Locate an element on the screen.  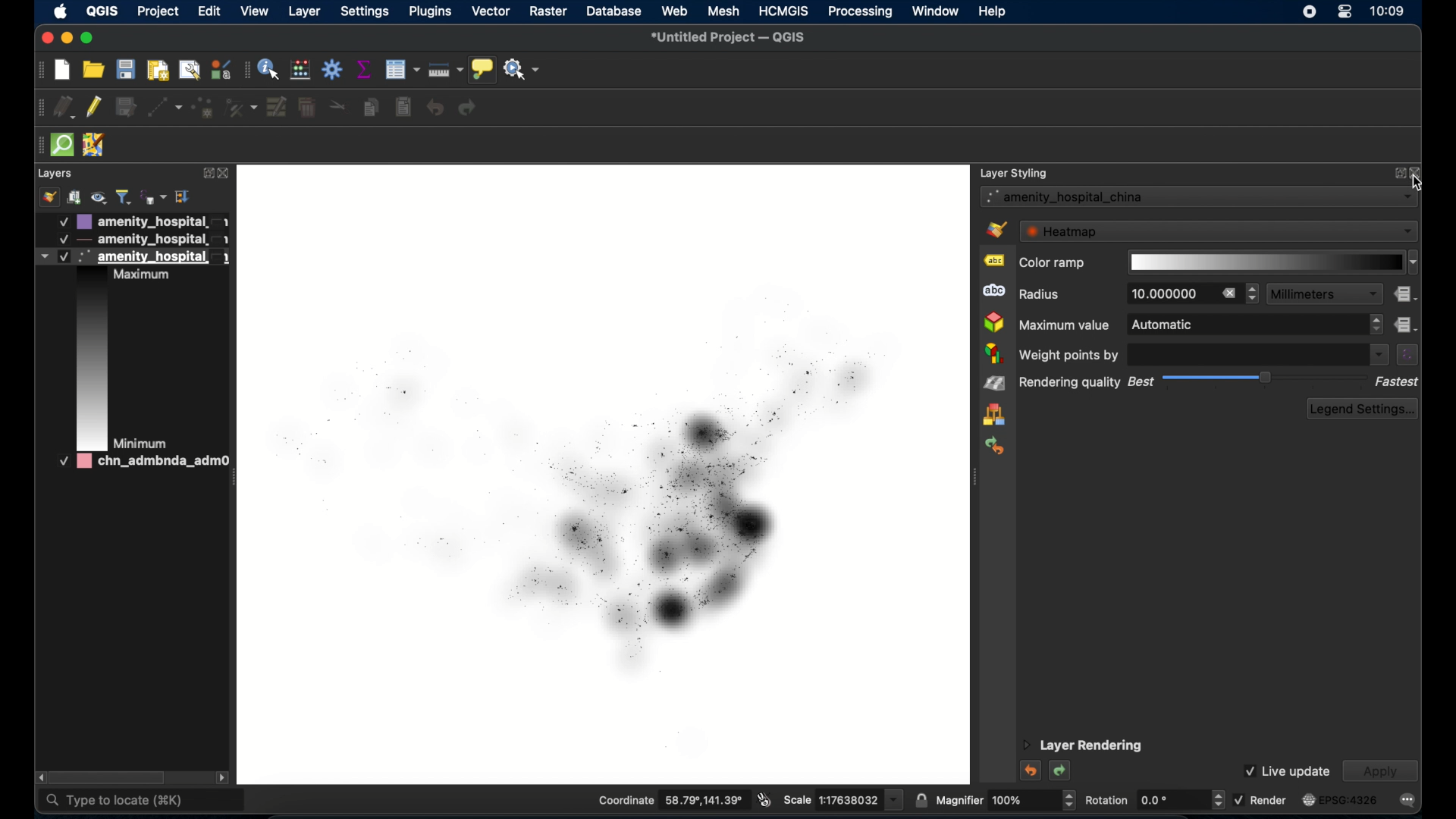
Minimum is located at coordinates (141, 442).